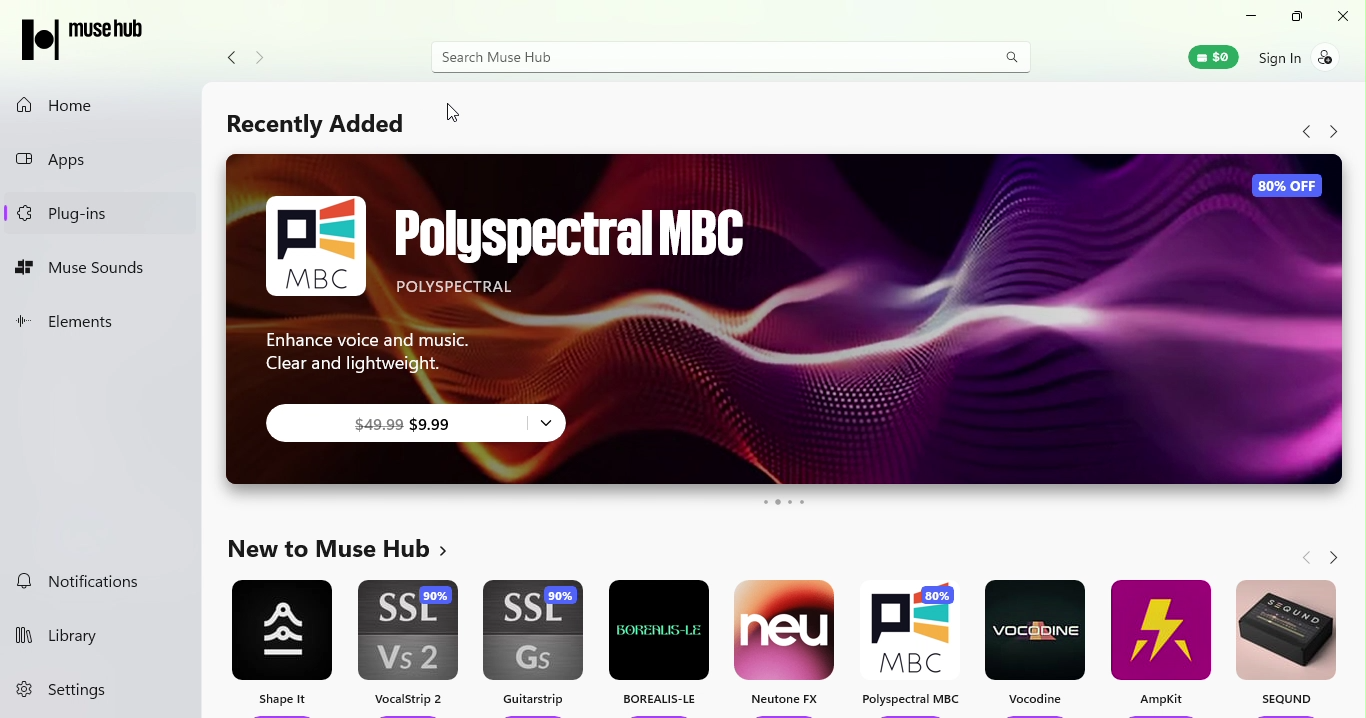 The image size is (1366, 718). I want to click on Recently added, so click(330, 120).